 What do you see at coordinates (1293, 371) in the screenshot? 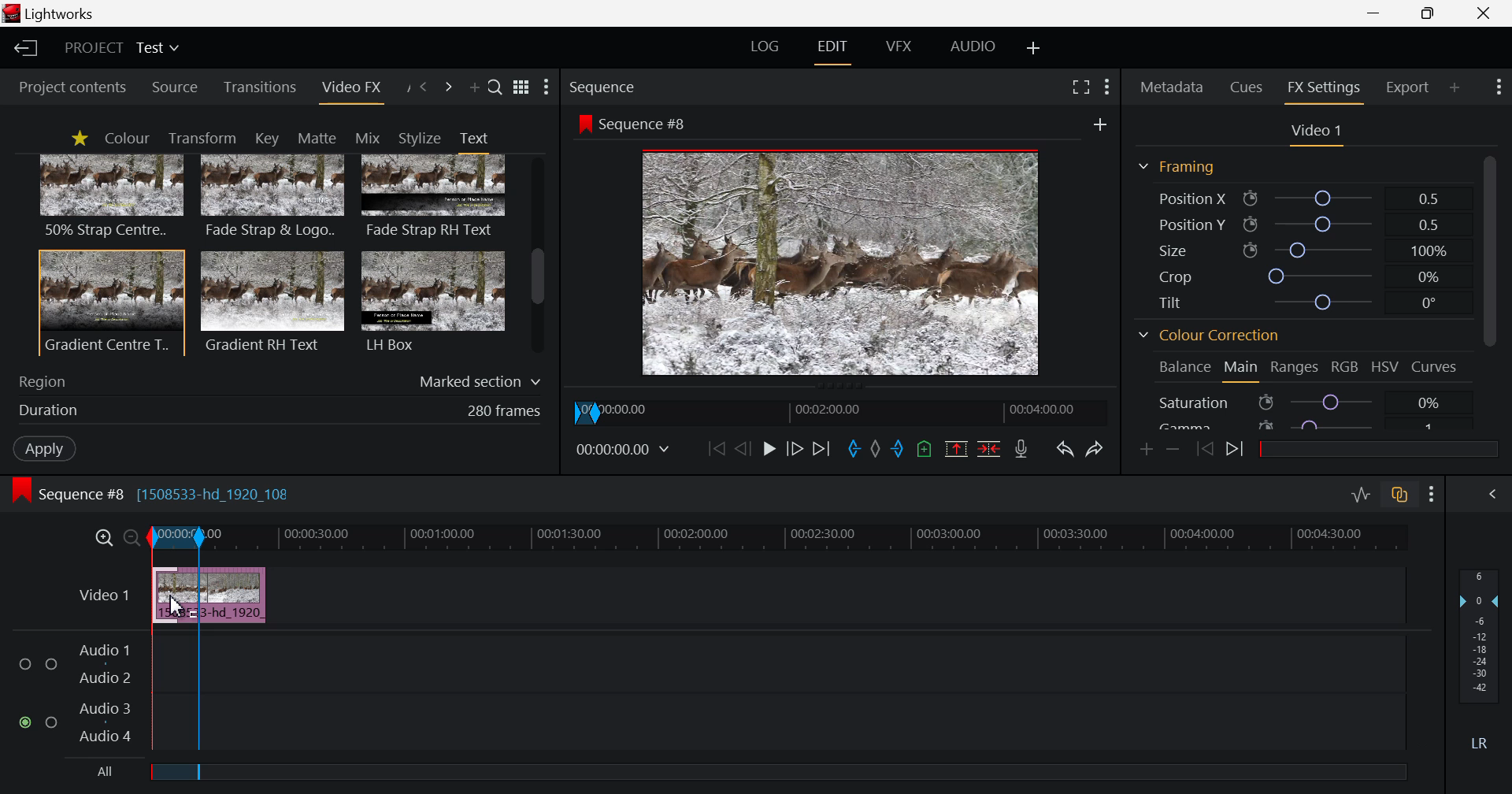
I see `Ranges` at bounding box center [1293, 371].